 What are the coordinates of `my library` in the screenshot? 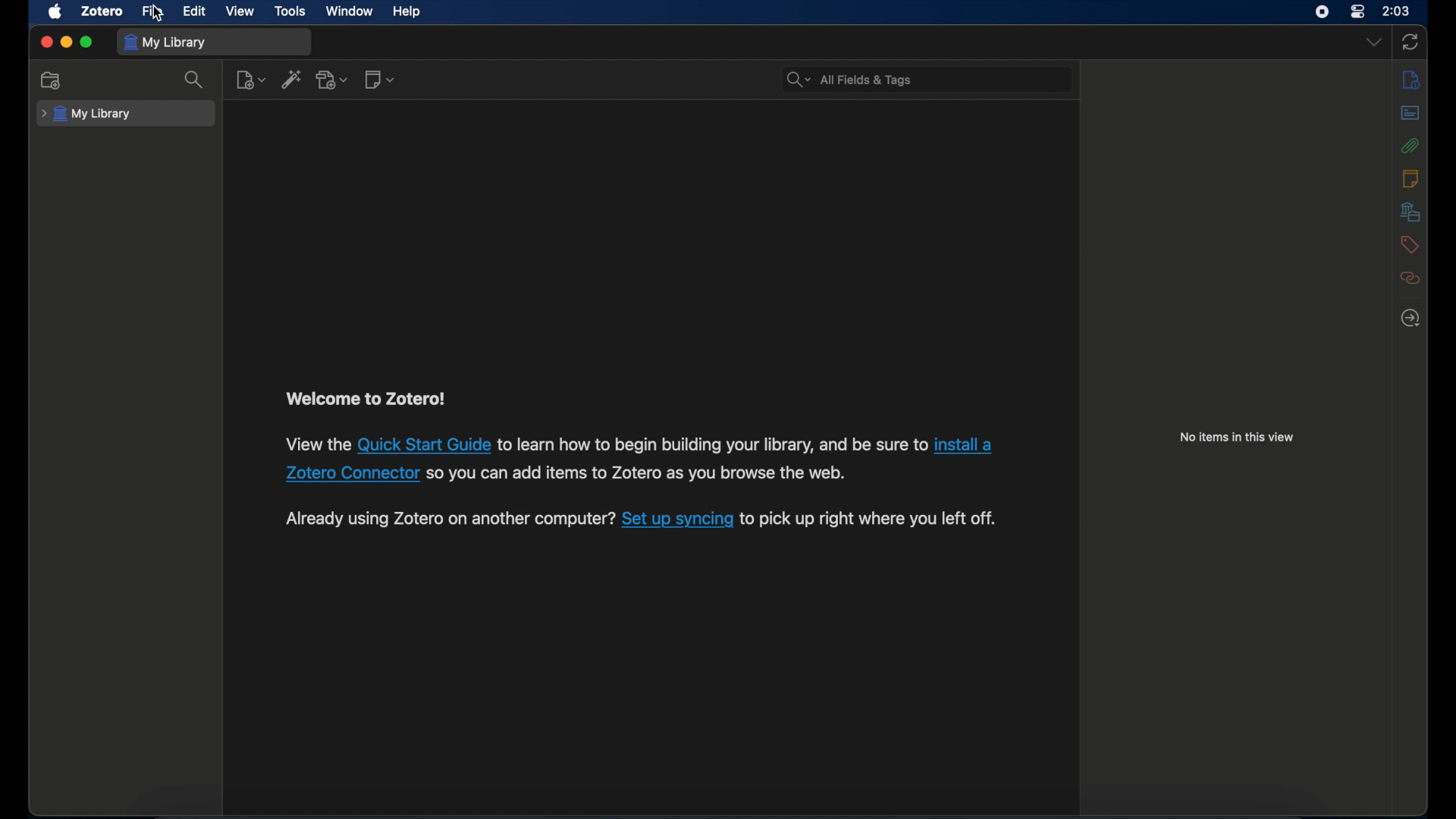 It's located at (168, 43).